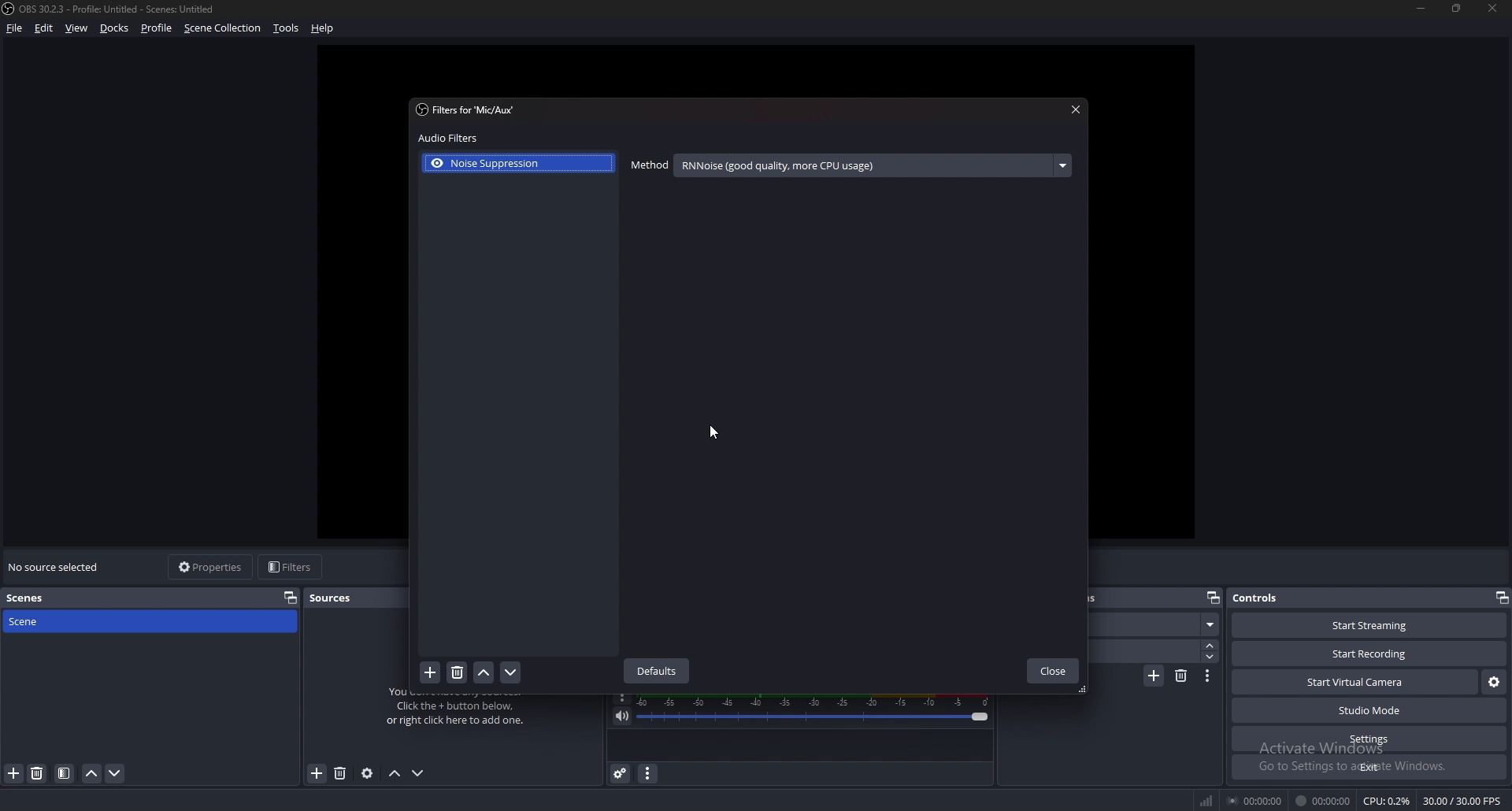 This screenshot has height=811, width=1512. What do you see at coordinates (816, 710) in the screenshot?
I see `mic/aux volume adjust` at bounding box center [816, 710].